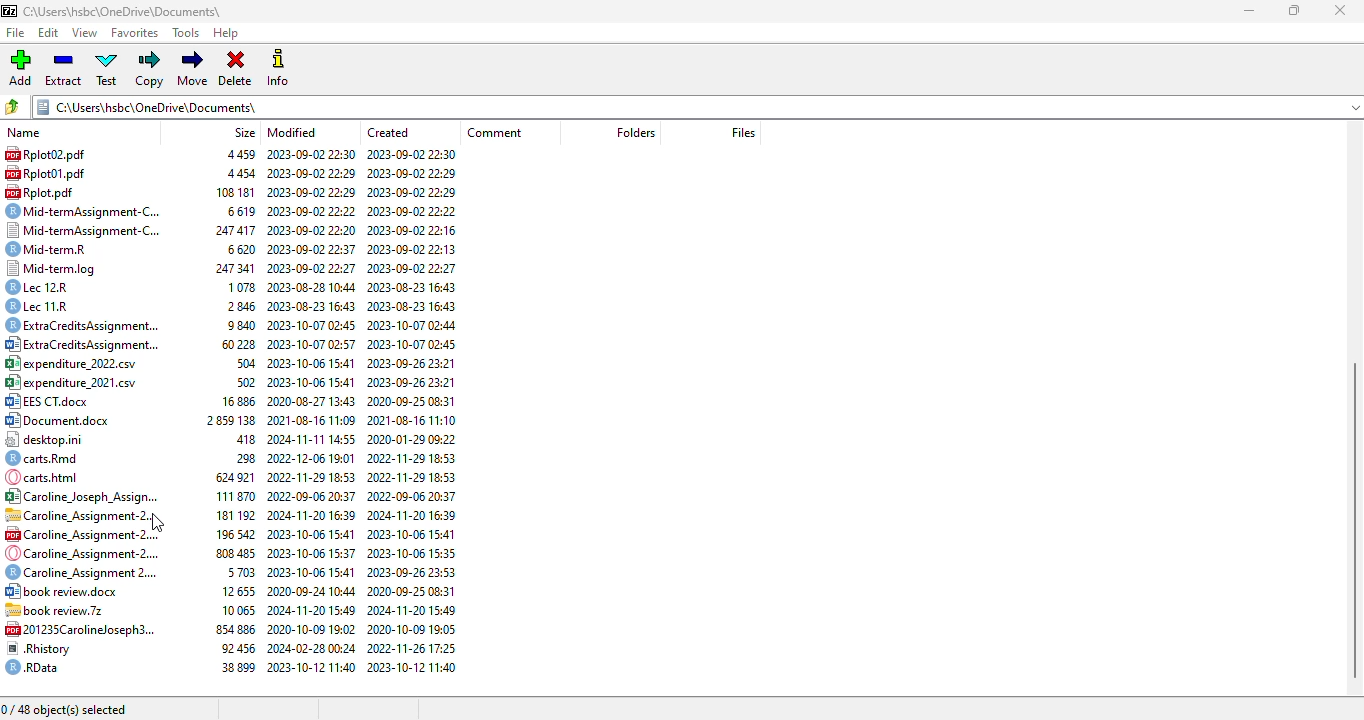 Image resolution: width=1364 pixels, height=720 pixels. What do you see at coordinates (312, 229) in the screenshot?
I see `2023-09-02 22:20` at bounding box center [312, 229].